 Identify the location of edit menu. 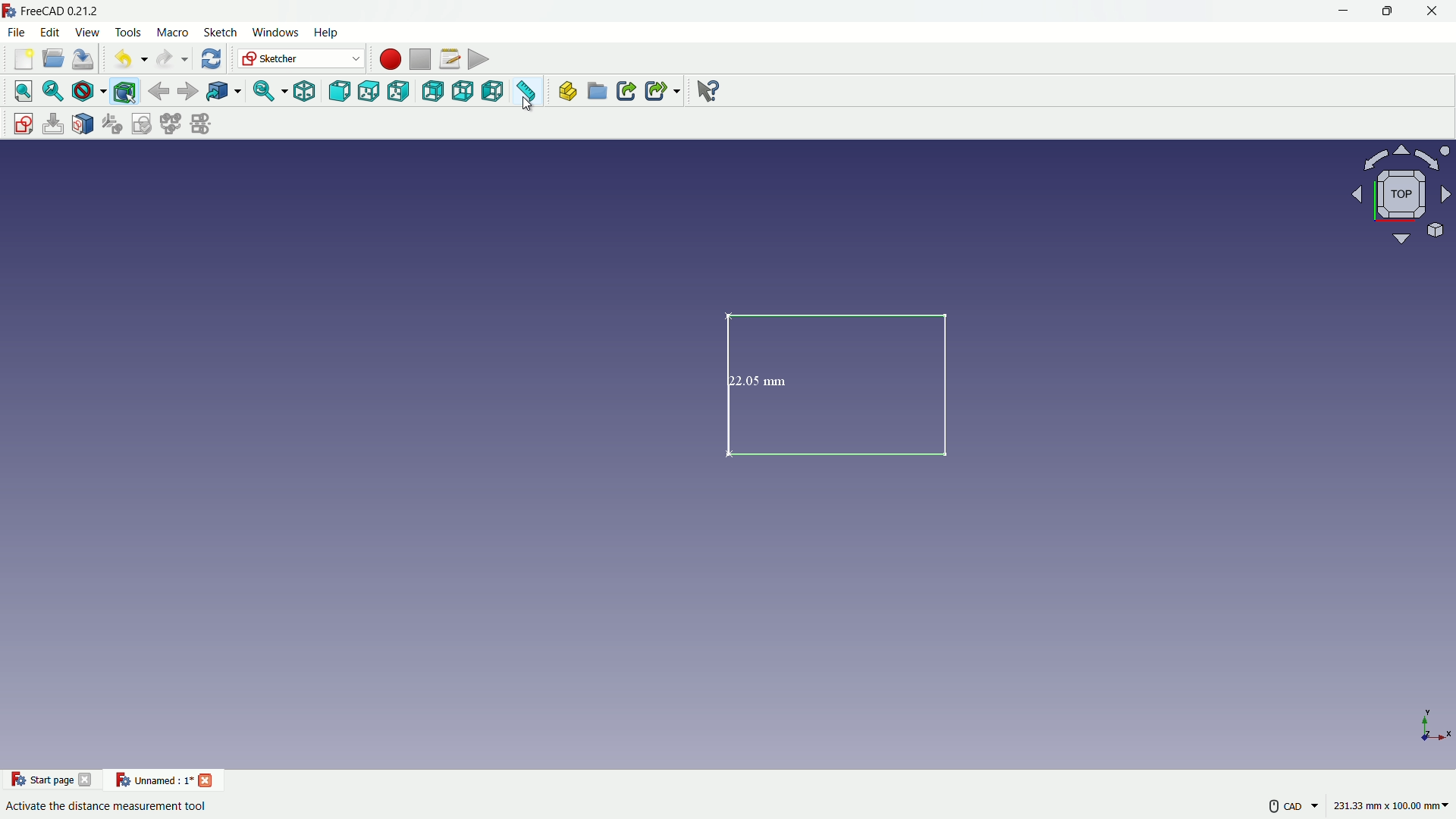
(50, 32).